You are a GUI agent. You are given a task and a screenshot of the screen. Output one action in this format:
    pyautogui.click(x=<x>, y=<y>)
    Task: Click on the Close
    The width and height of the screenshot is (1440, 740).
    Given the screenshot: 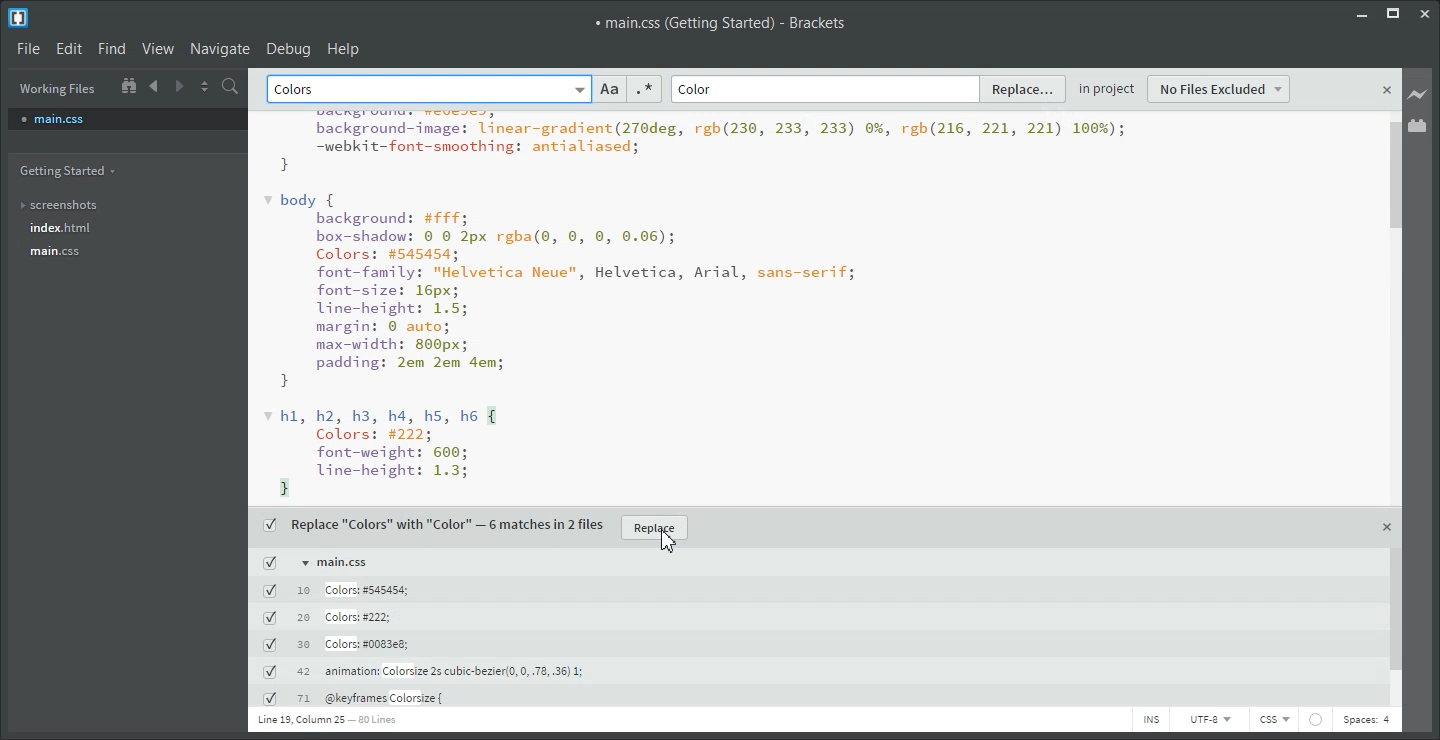 What is the action you would take?
    pyautogui.click(x=1427, y=13)
    